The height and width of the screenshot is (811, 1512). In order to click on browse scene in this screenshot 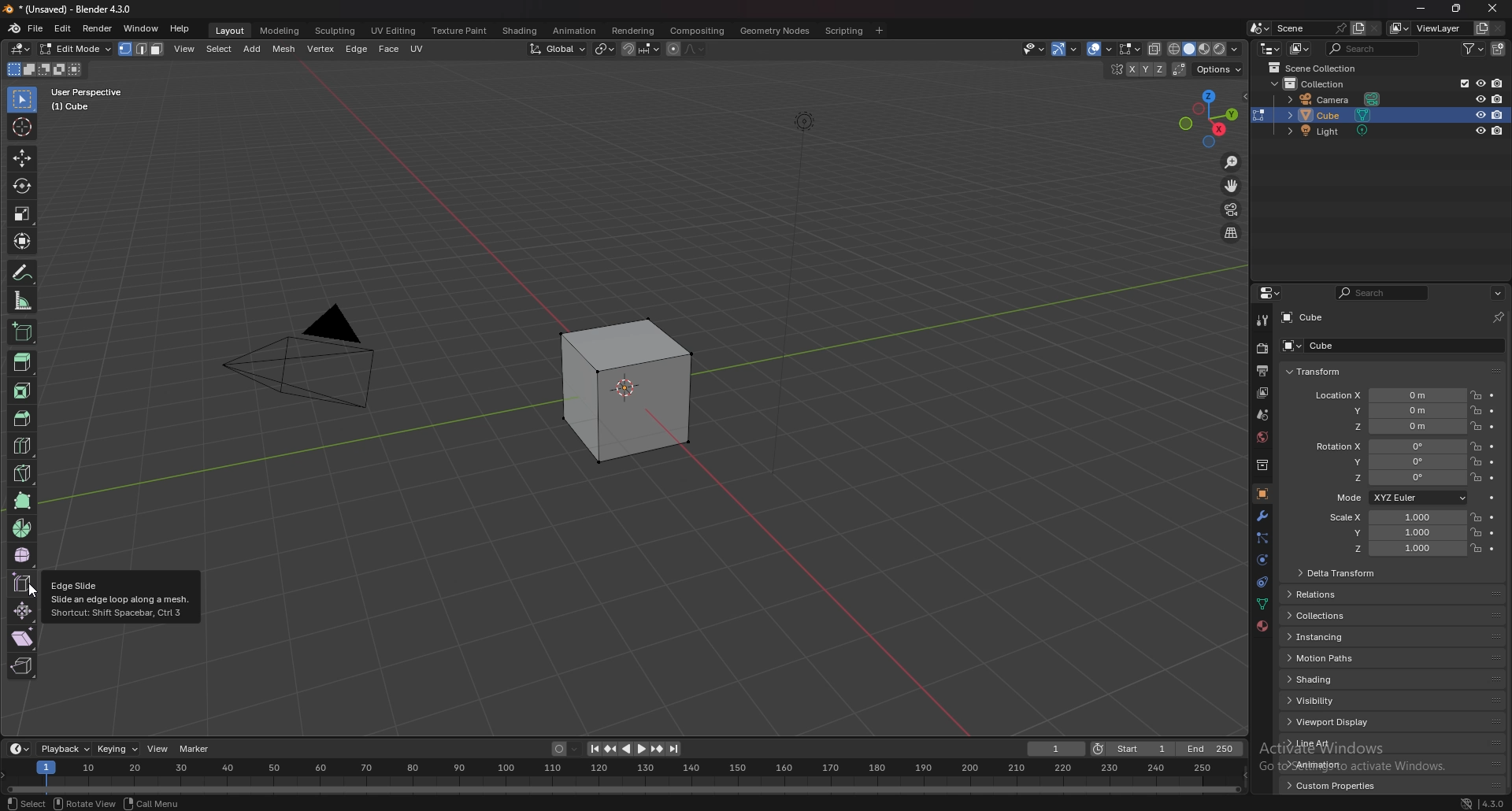, I will do `click(1258, 28)`.